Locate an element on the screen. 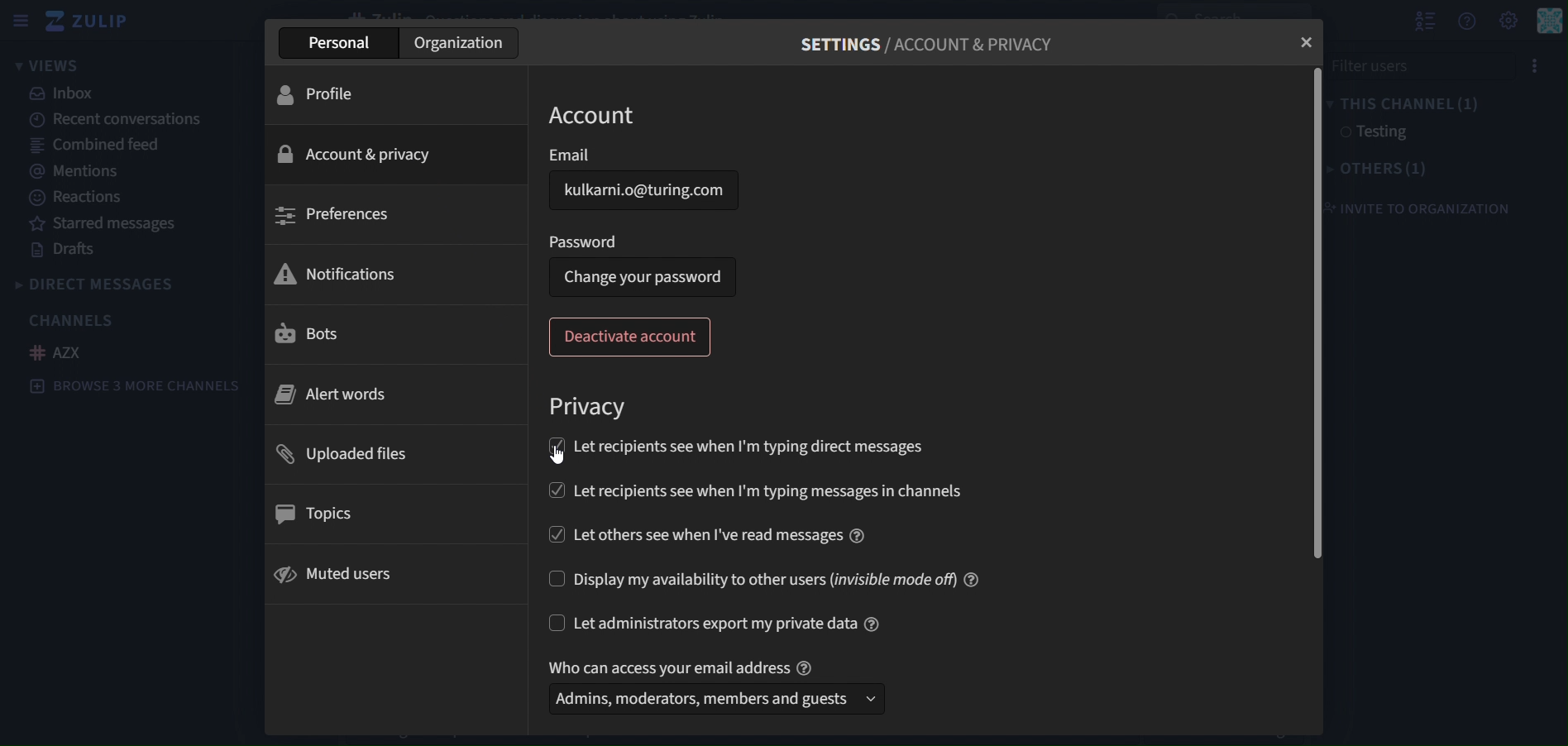 The width and height of the screenshot is (1568, 746). invite to organization is located at coordinates (1426, 209).